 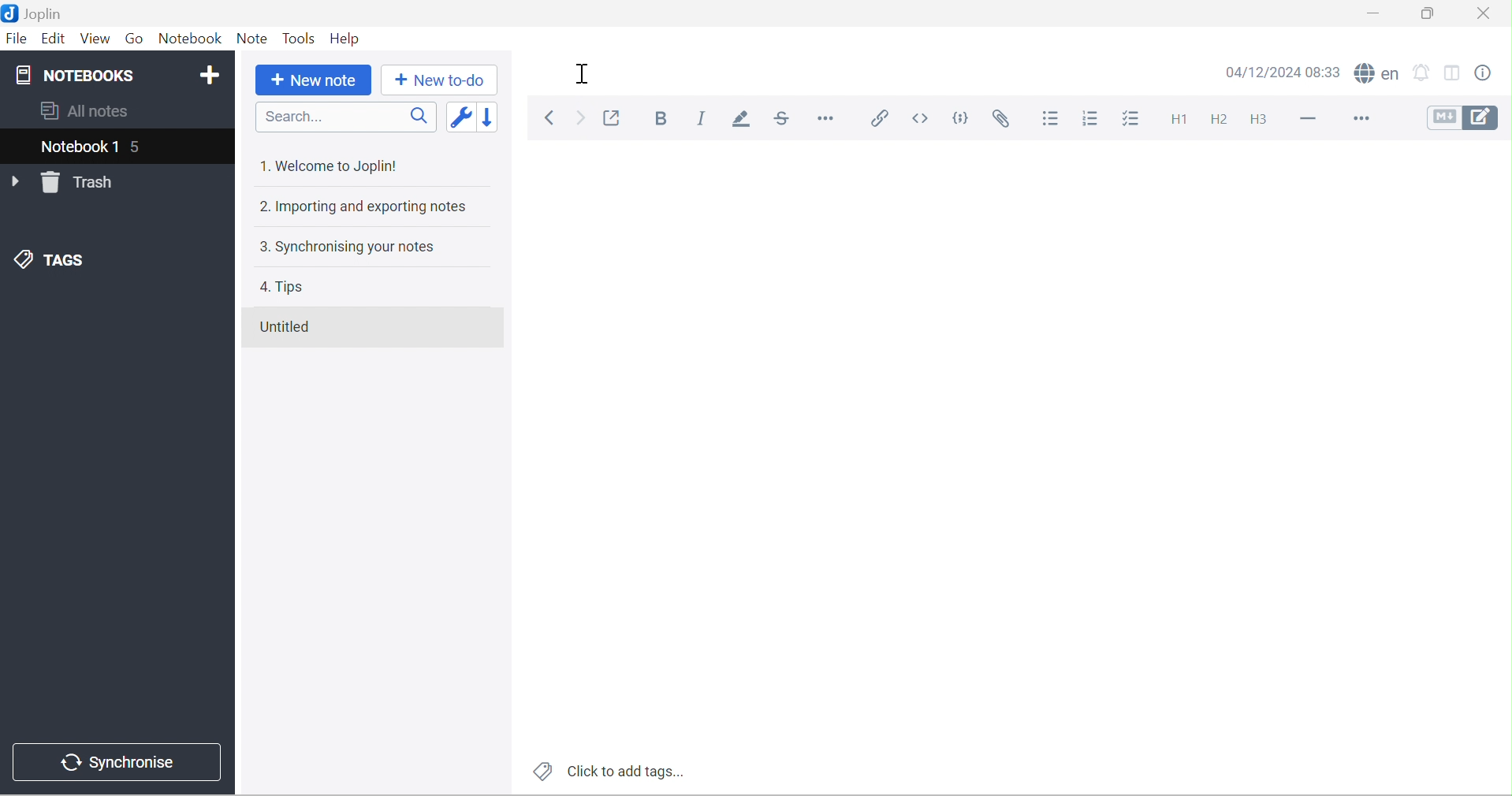 I want to click on 5, so click(x=137, y=148).